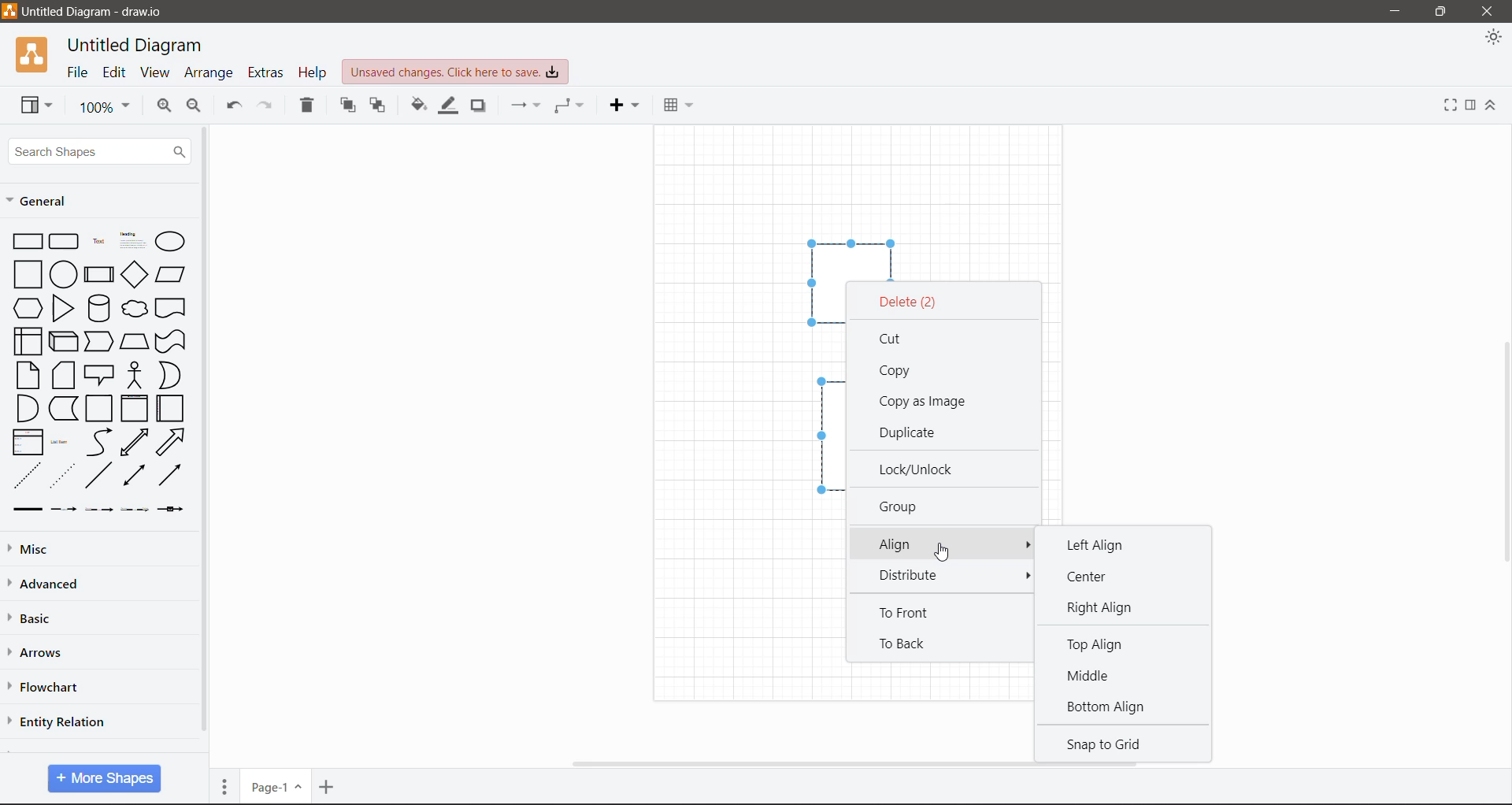  Describe the element at coordinates (946, 557) in the screenshot. I see `Cursor` at that location.